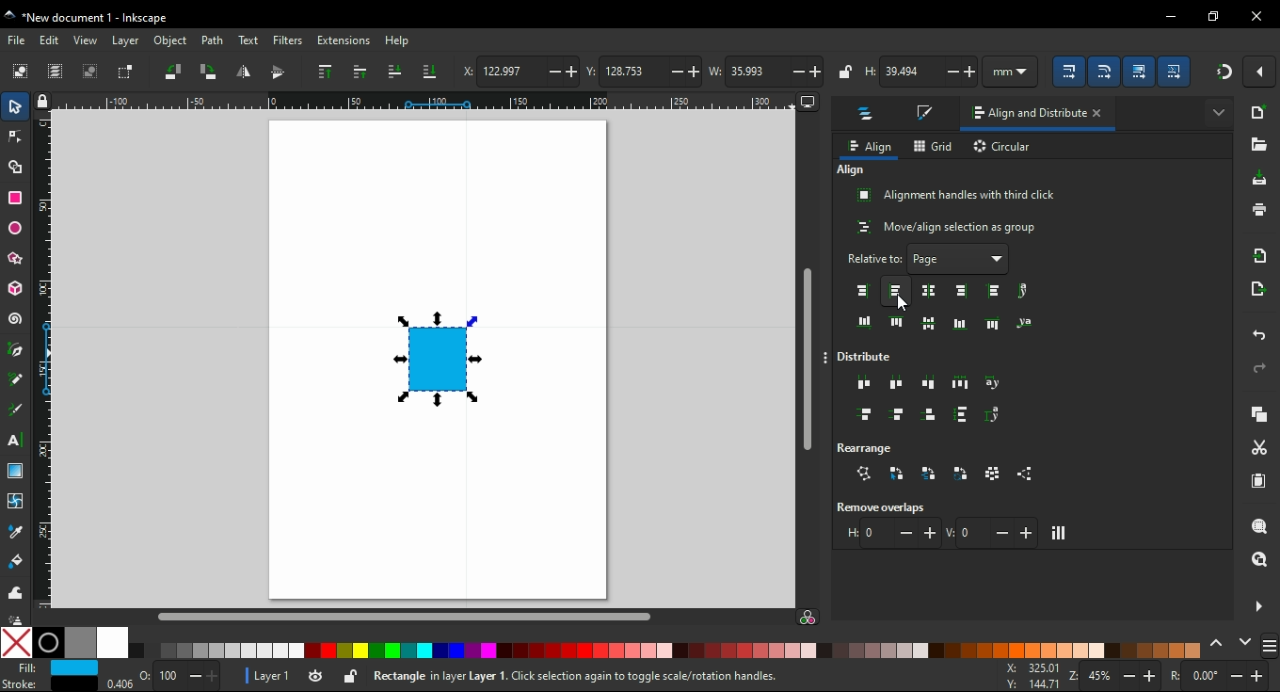 This screenshot has width=1280, height=692. Describe the element at coordinates (962, 472) in the screenshot. I see `exchange positions of selected objects - rotate around center point` at that location.